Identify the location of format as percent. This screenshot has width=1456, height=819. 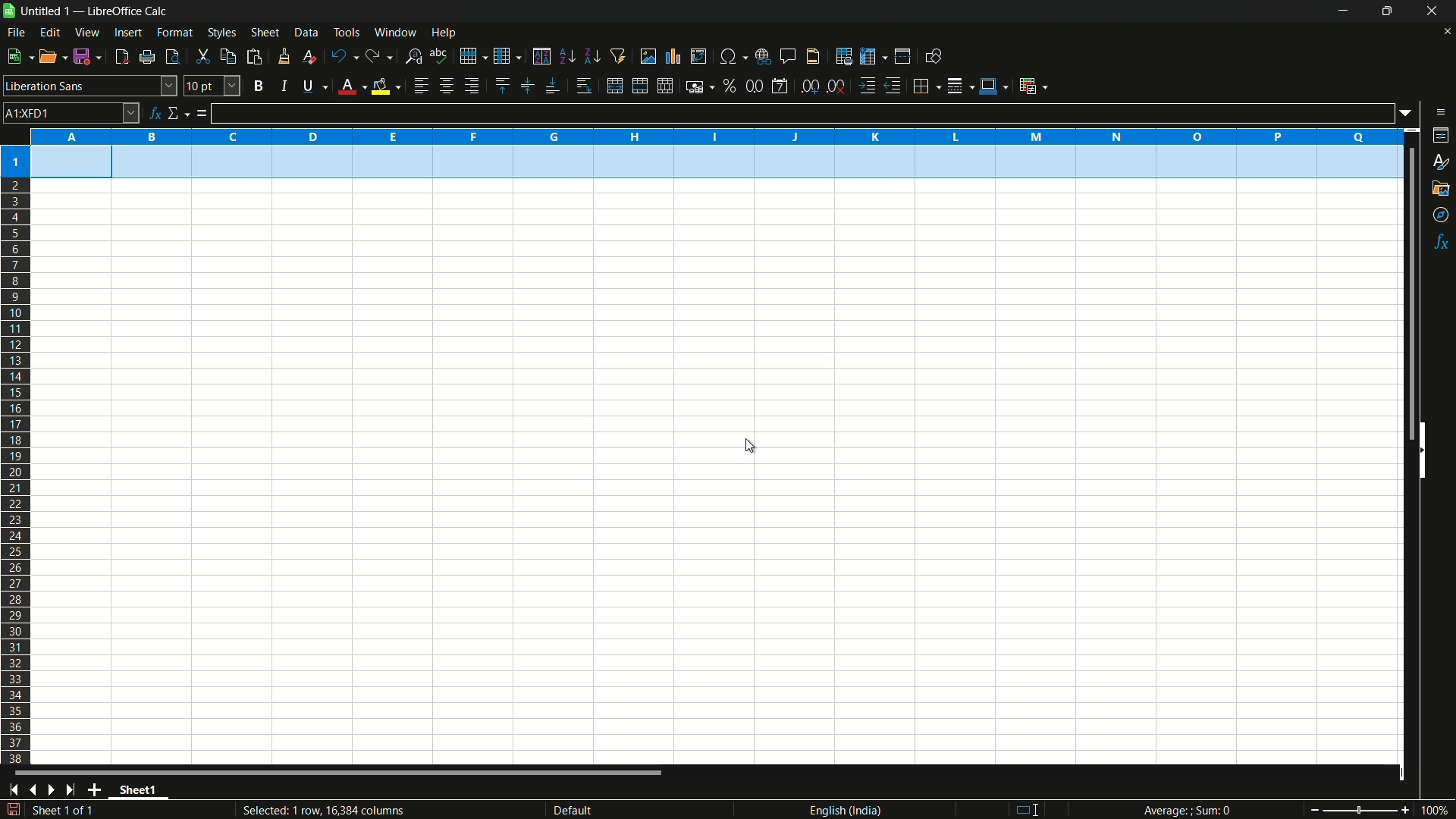
(730, 85).